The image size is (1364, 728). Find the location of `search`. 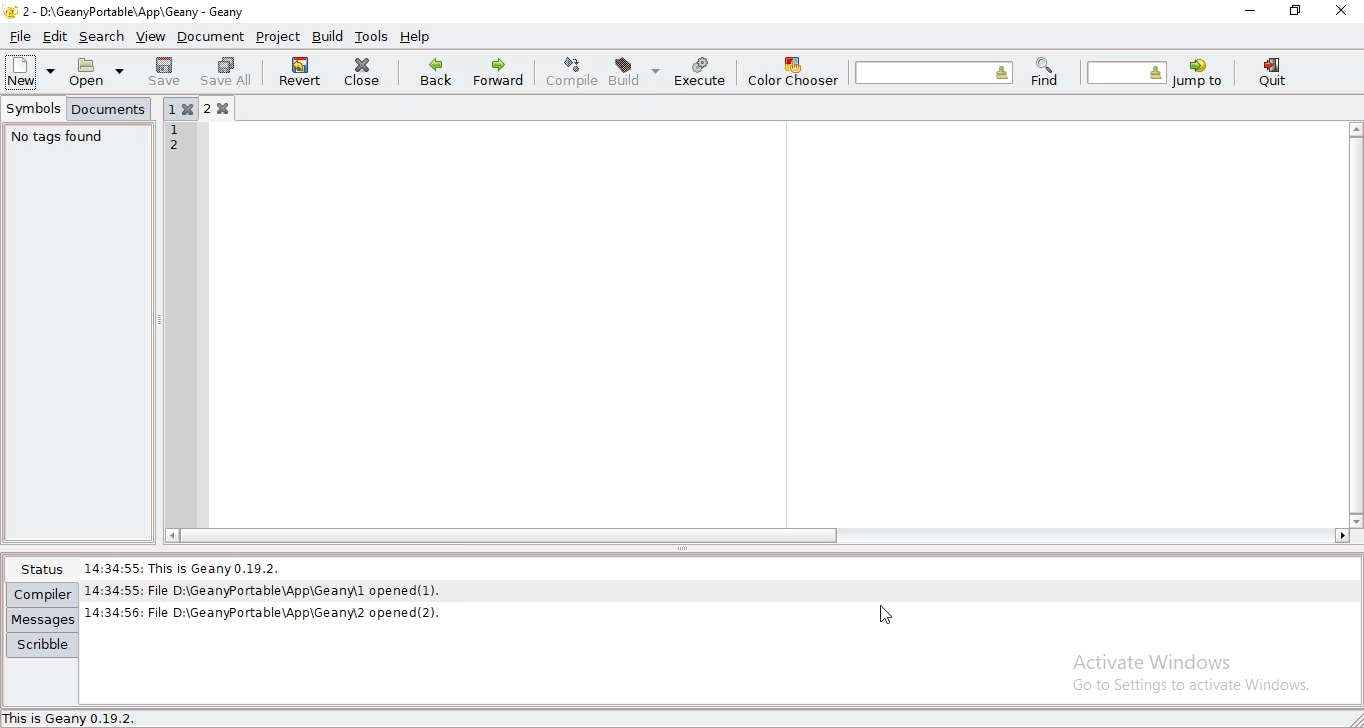

search is located at coordinates (103, 36).